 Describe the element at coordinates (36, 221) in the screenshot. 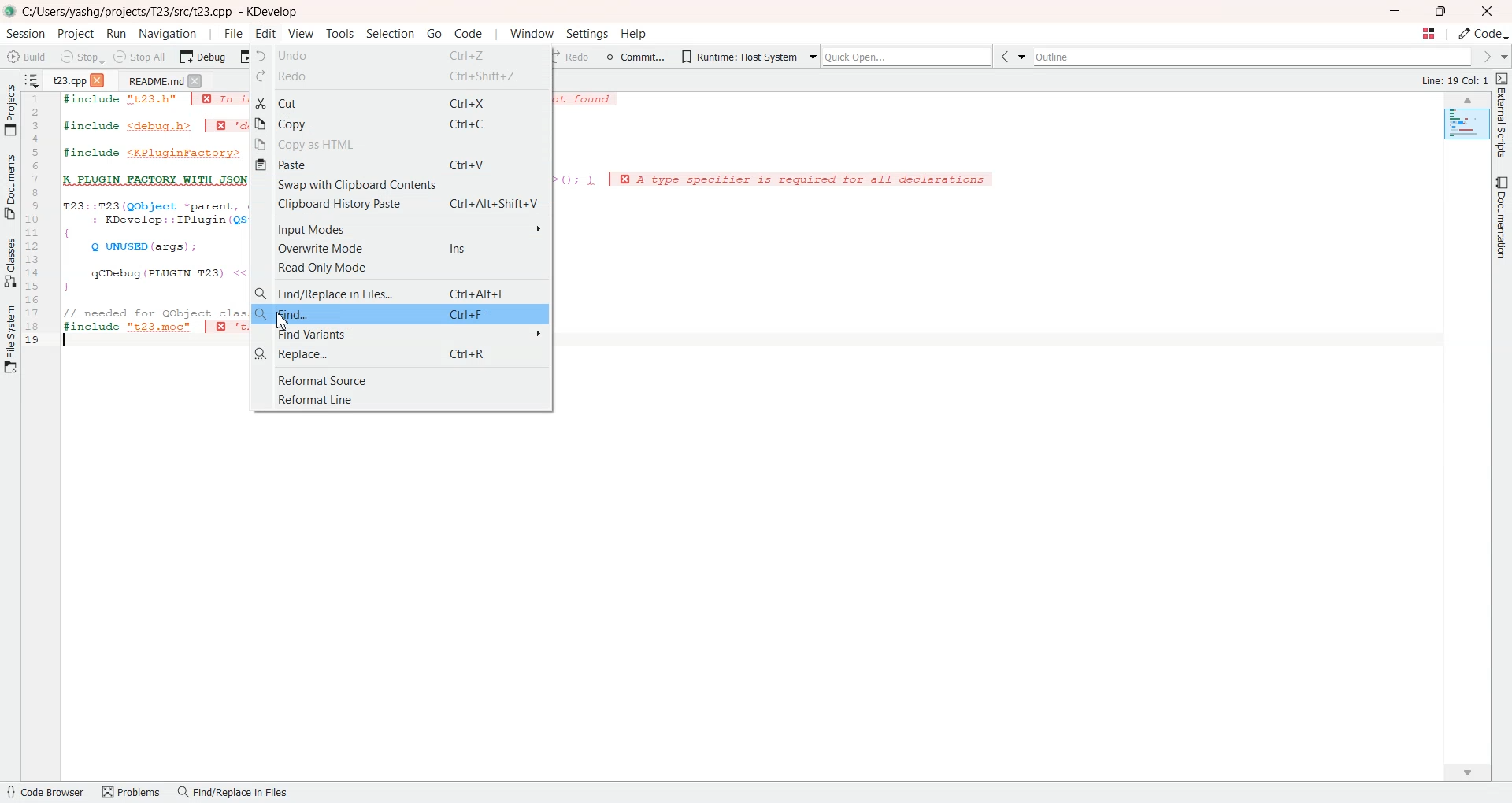

I see `Rows ` at that location.